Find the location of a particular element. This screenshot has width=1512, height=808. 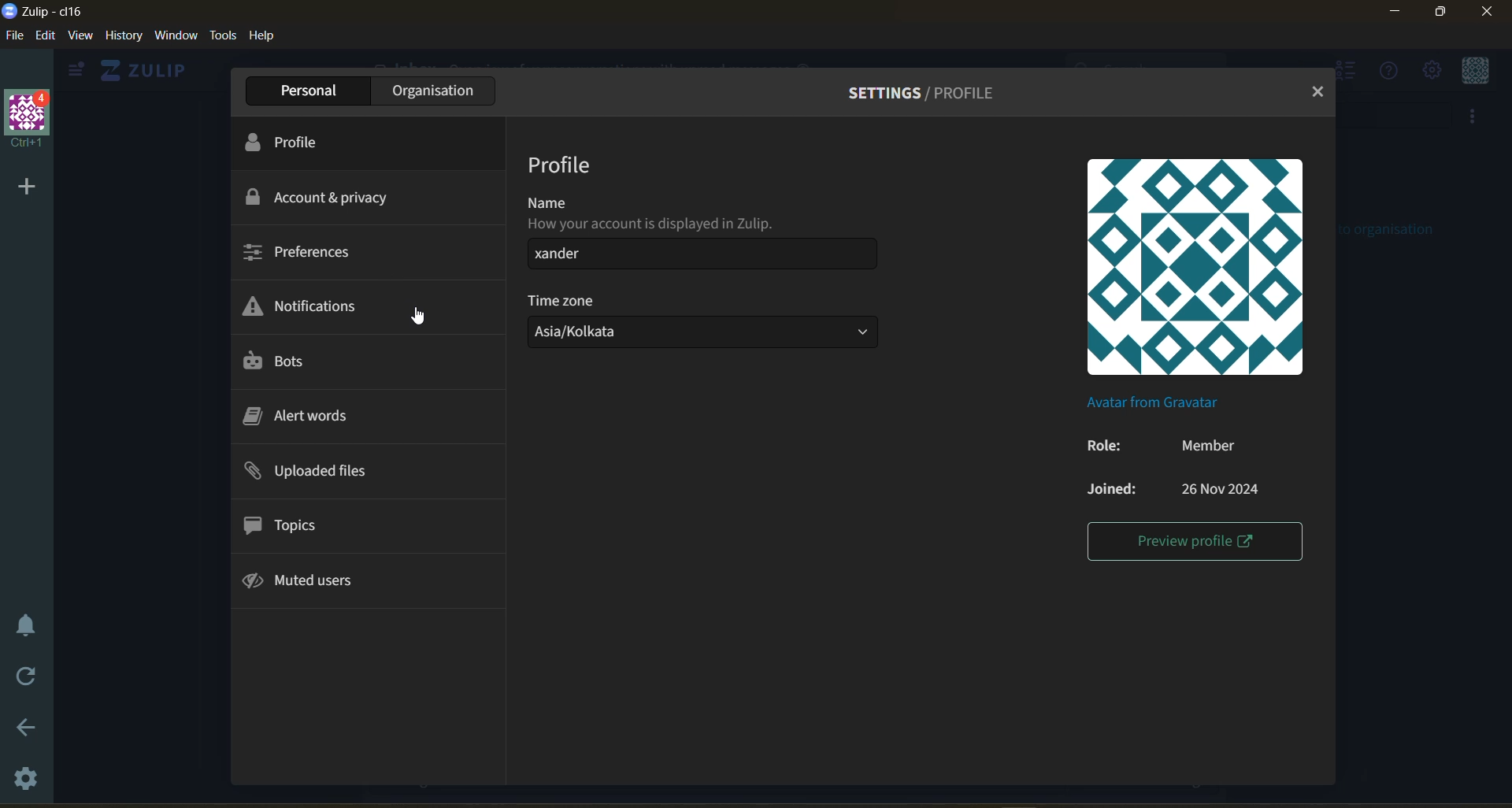

Name is located at coordinates (542, 201).